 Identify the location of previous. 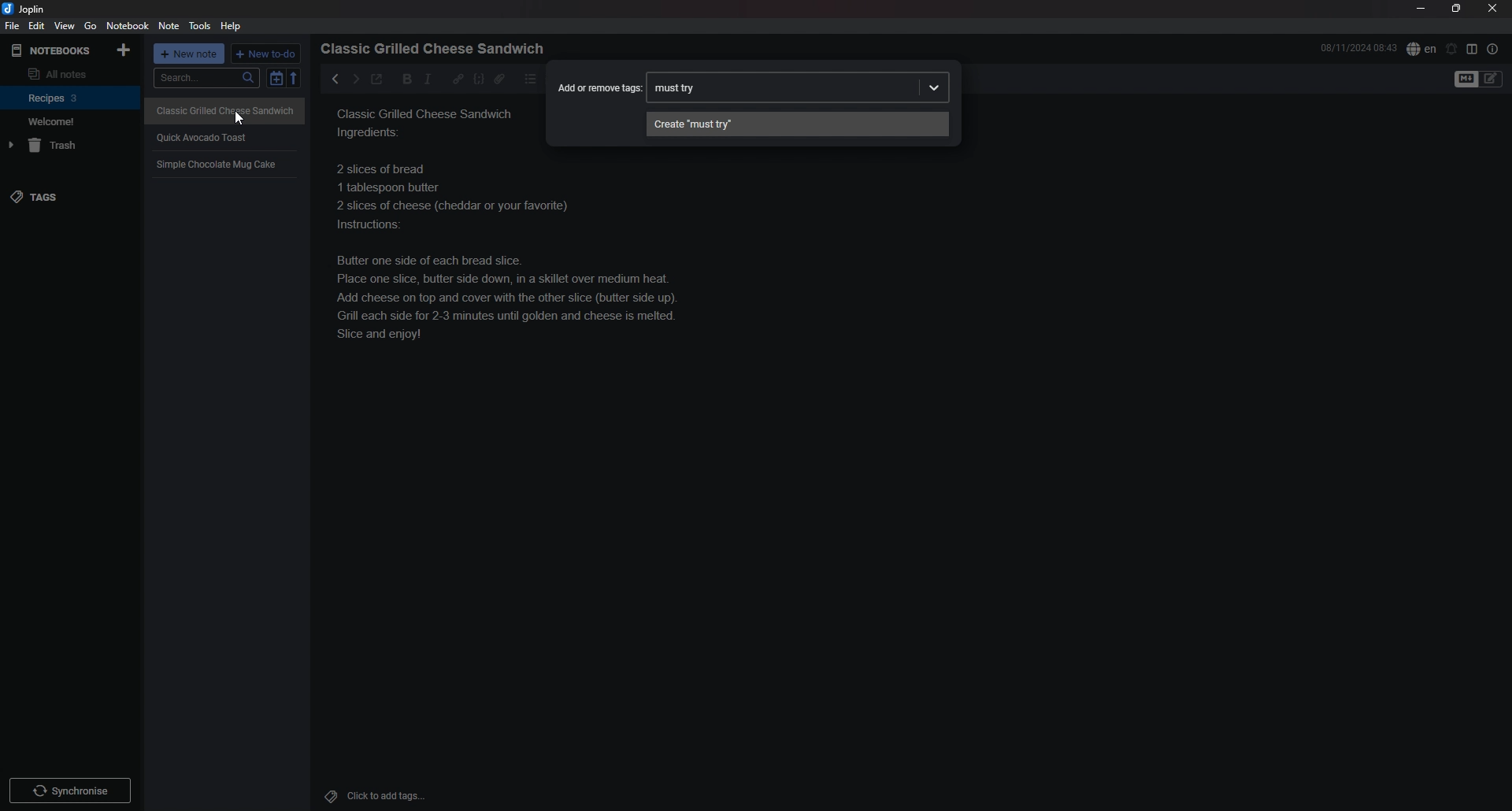
(335, 79).